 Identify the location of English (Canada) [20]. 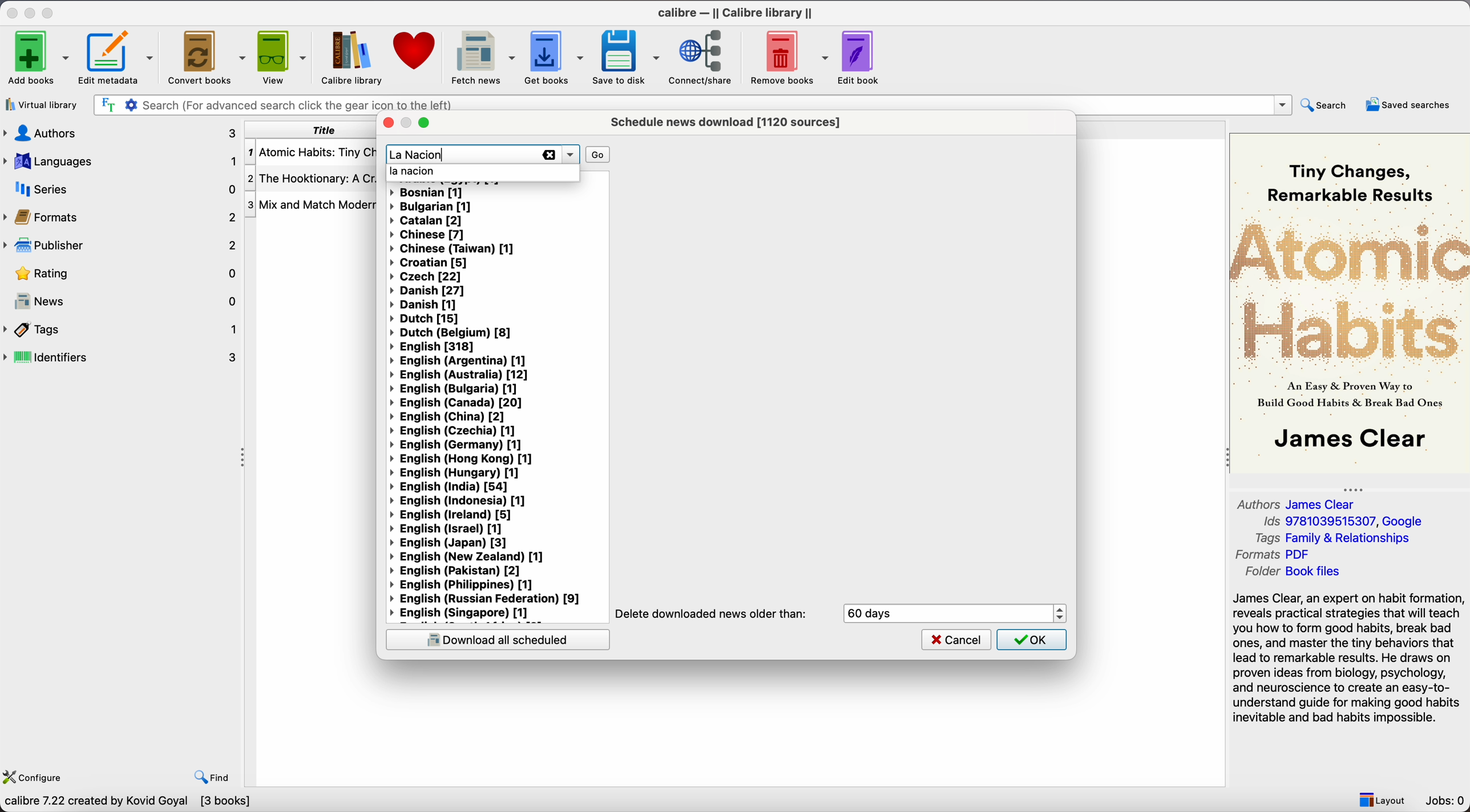
(455, 402).